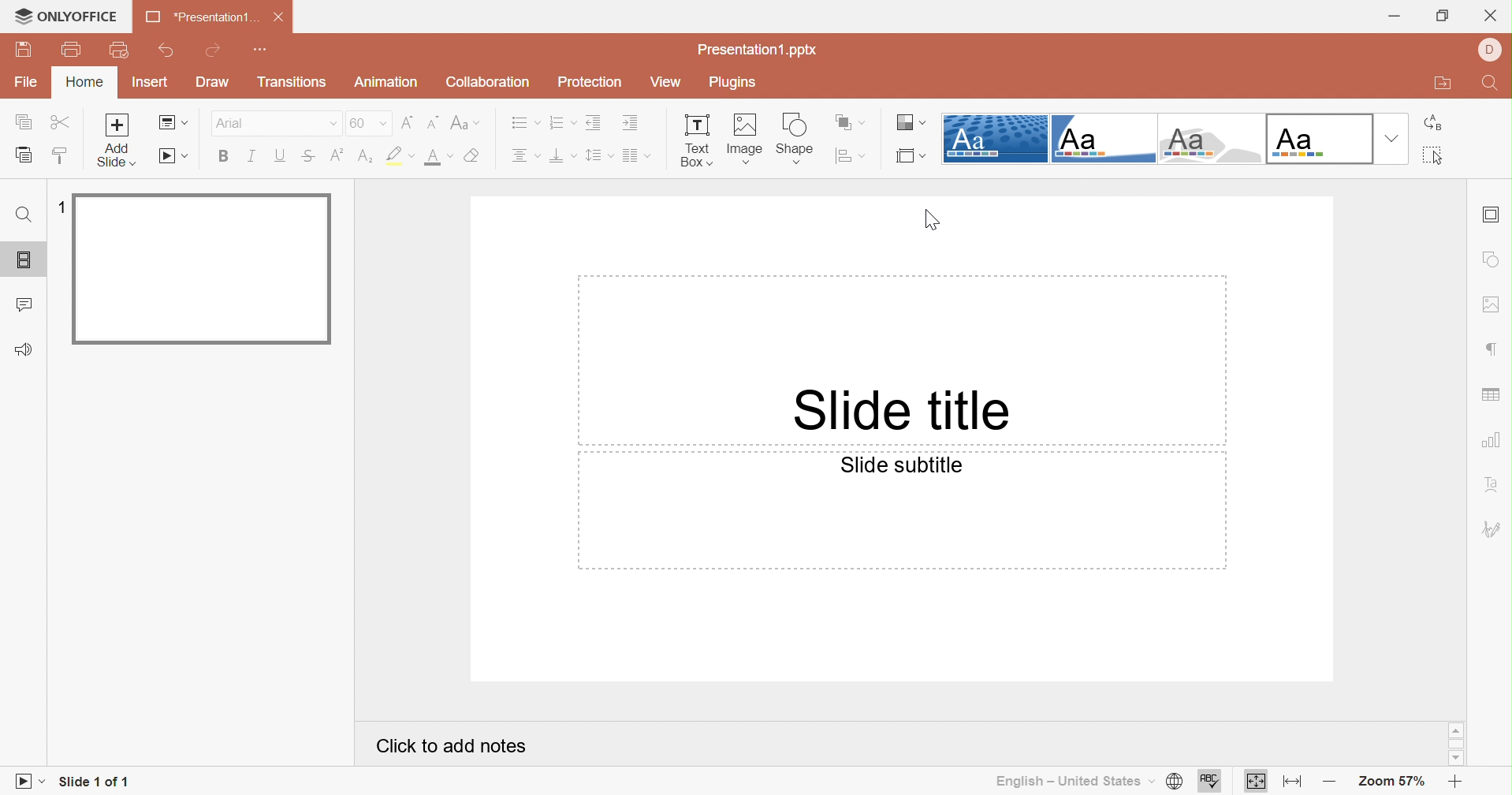 The image size is (1512, 795). Describe the element at coordinates (1455, 729) in the screenshot. I see `Scroll up` at that location.